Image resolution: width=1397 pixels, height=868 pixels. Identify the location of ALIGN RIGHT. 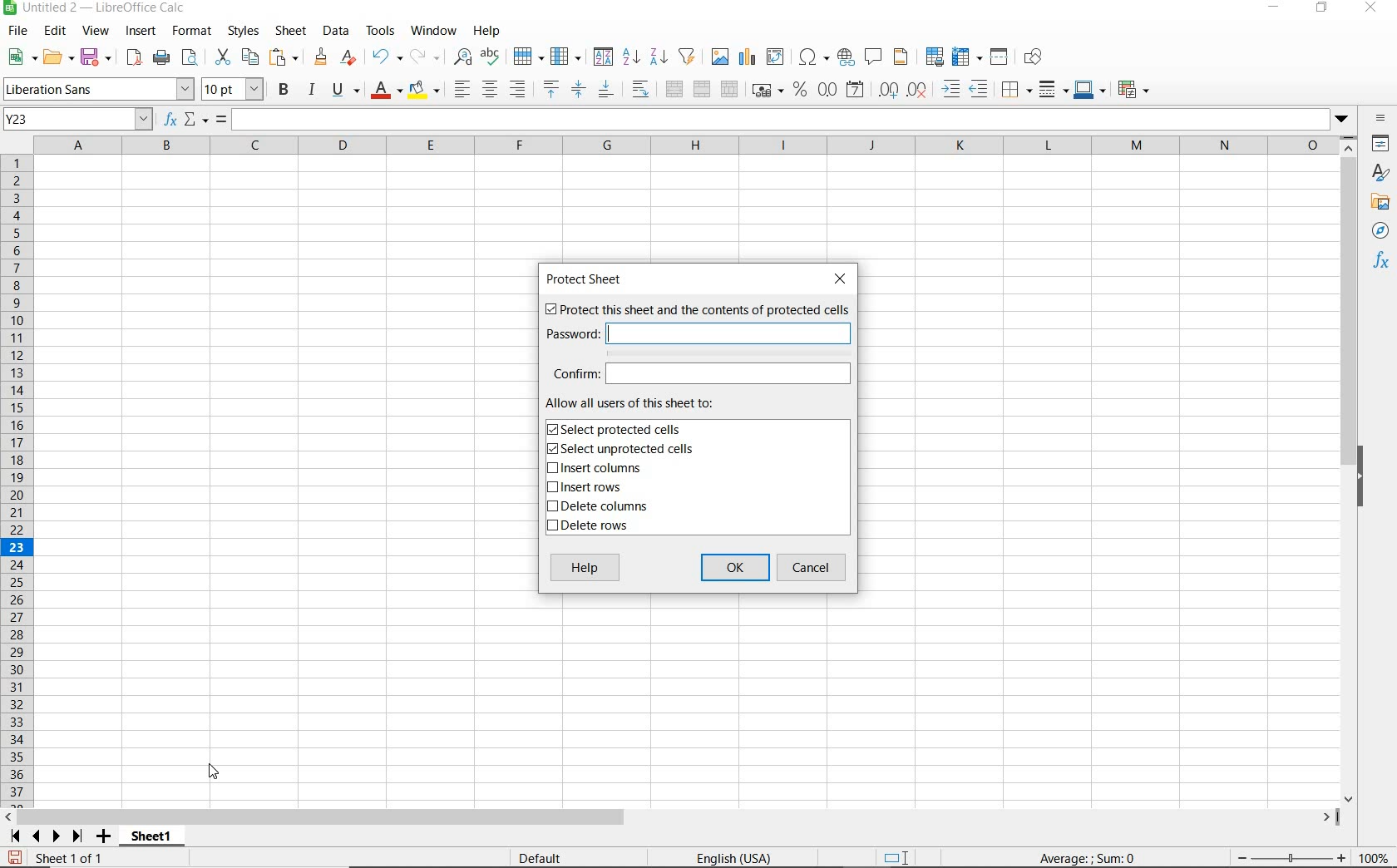
(517, 90).